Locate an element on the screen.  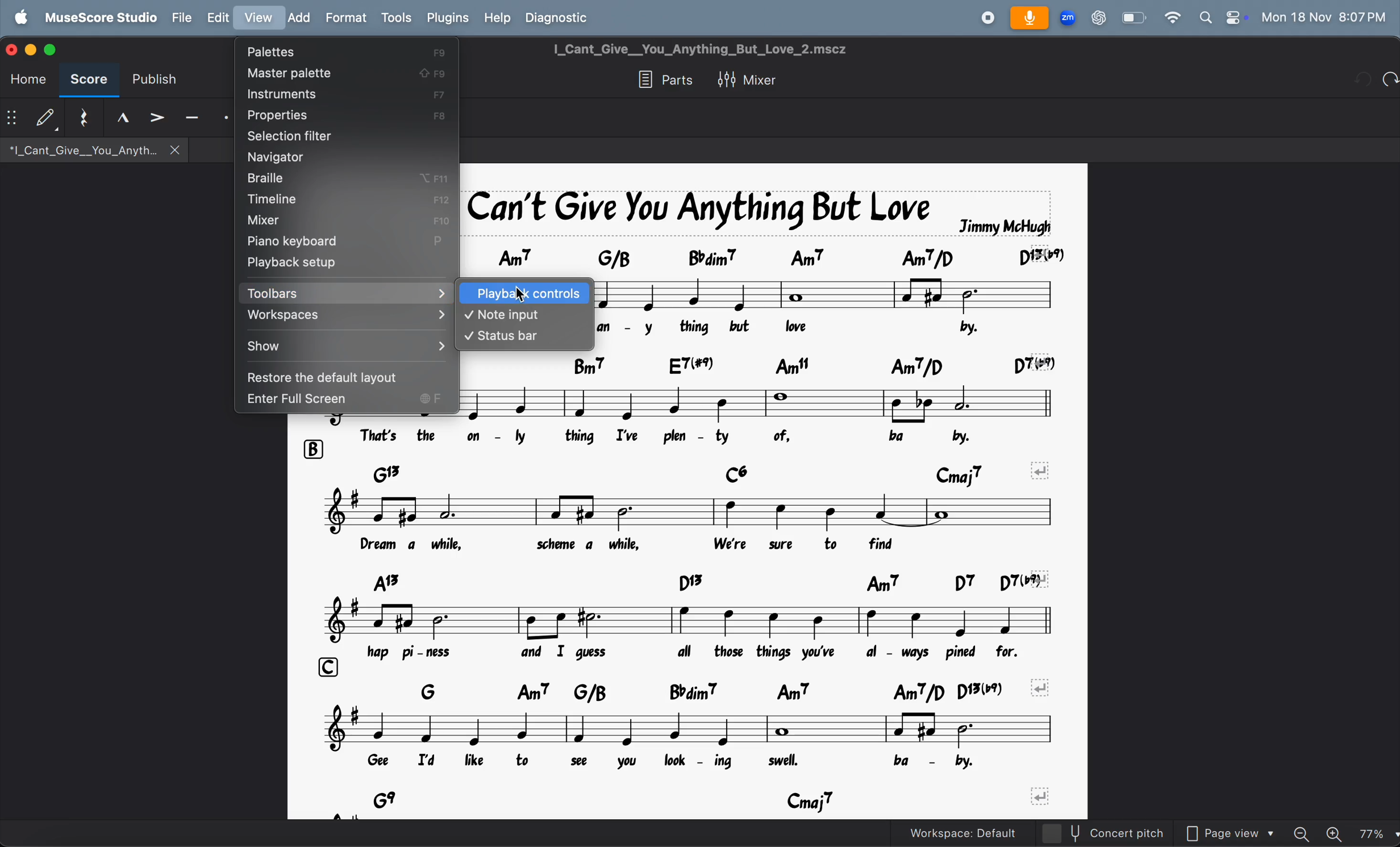
zoom in is located at coordinates (1335, 833).